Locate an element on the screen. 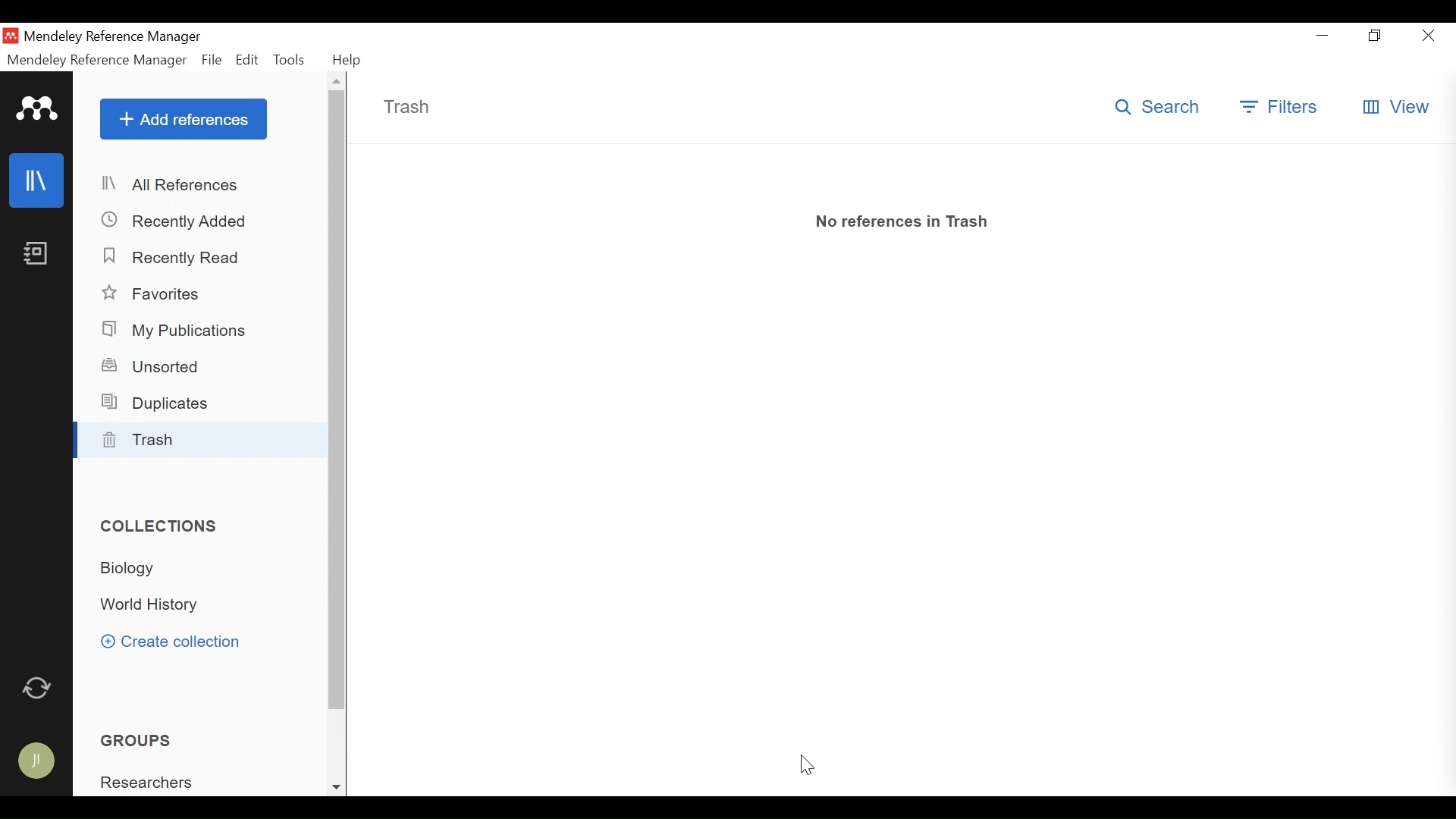 This screenshot has height=819, width=1456. Search is located at coordinates (1158, 107).